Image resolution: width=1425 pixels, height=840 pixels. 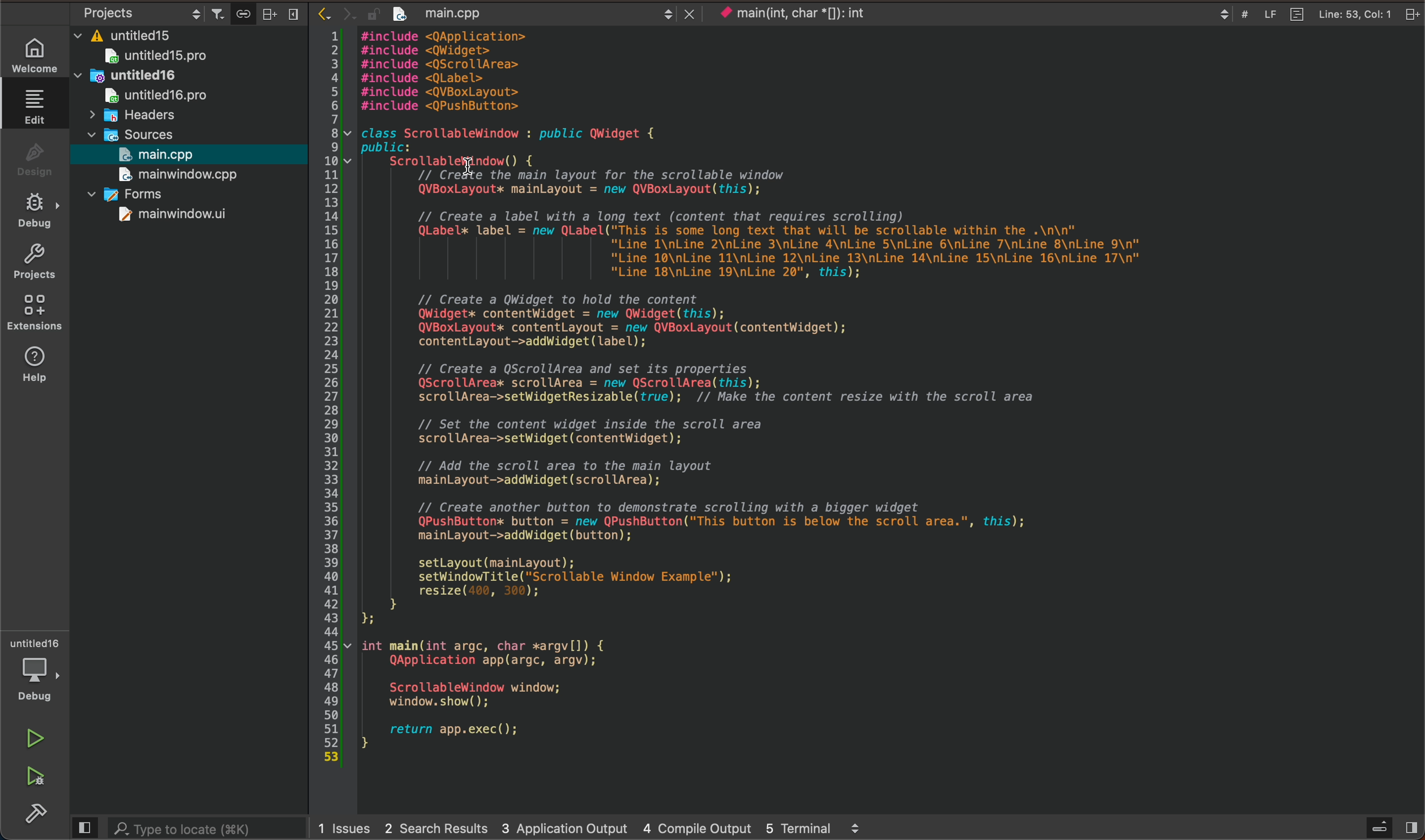 What do you see at coordinates (1380, 827) in the screenshot?
I see `open sidebar` at bounding box center [1380, 827].